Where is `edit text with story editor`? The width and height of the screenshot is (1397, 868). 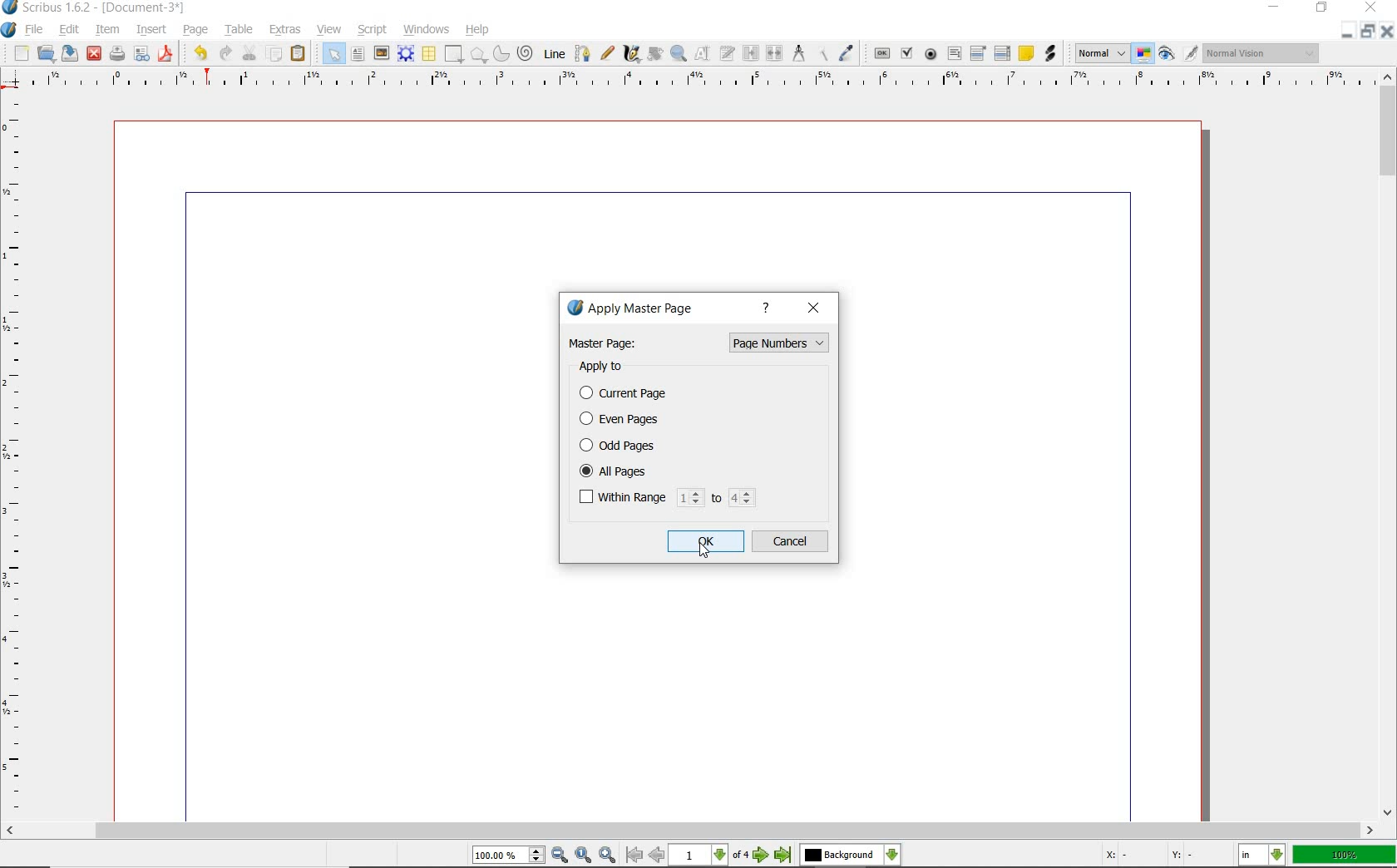
edit text with story editor is located at coordinates (726, 53).